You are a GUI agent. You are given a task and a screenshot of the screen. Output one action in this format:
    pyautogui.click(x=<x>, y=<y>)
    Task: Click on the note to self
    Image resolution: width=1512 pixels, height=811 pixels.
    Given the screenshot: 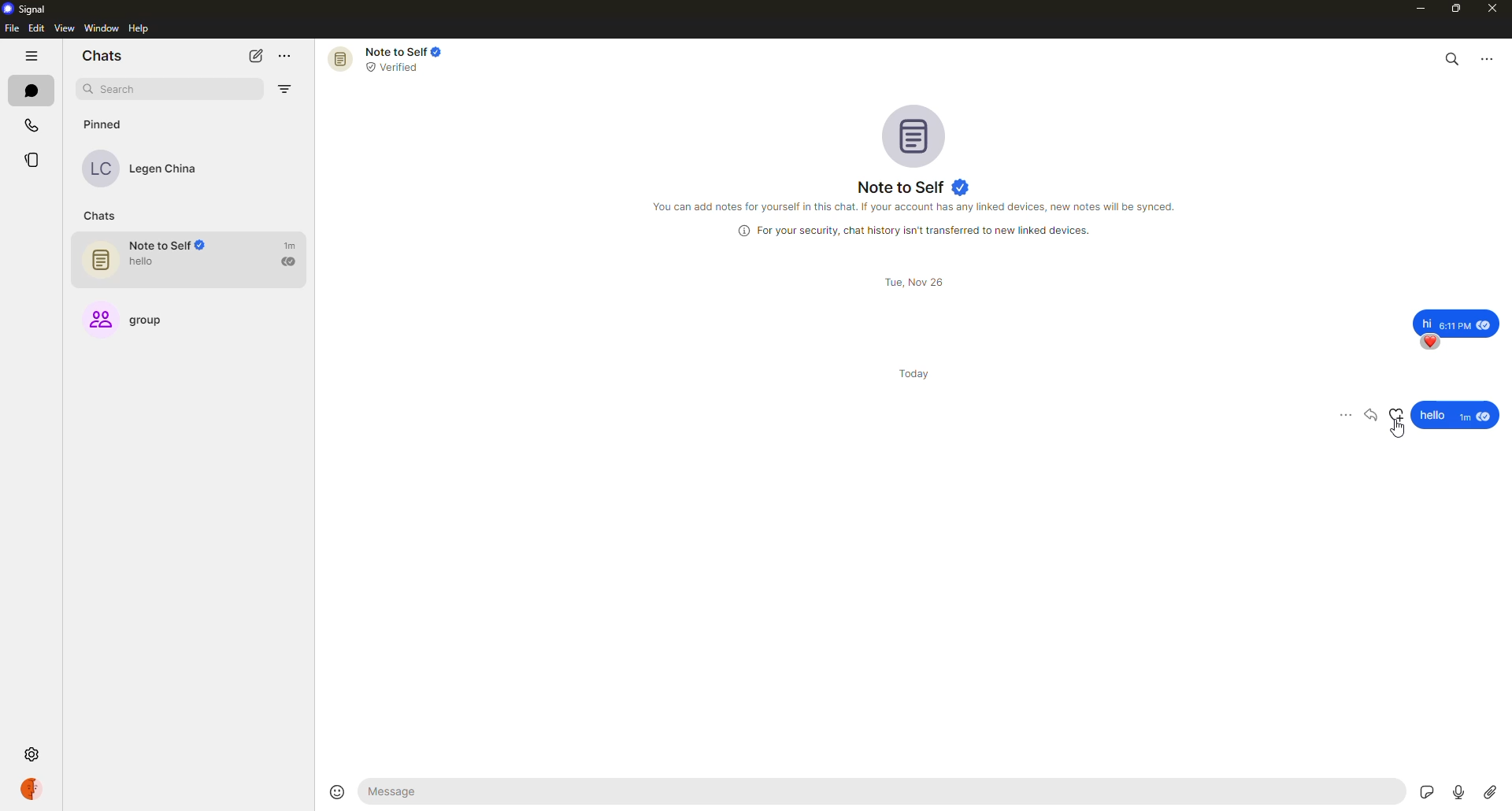 What is the action you would take?
    pyautogui.click(x=196, y=260)
    